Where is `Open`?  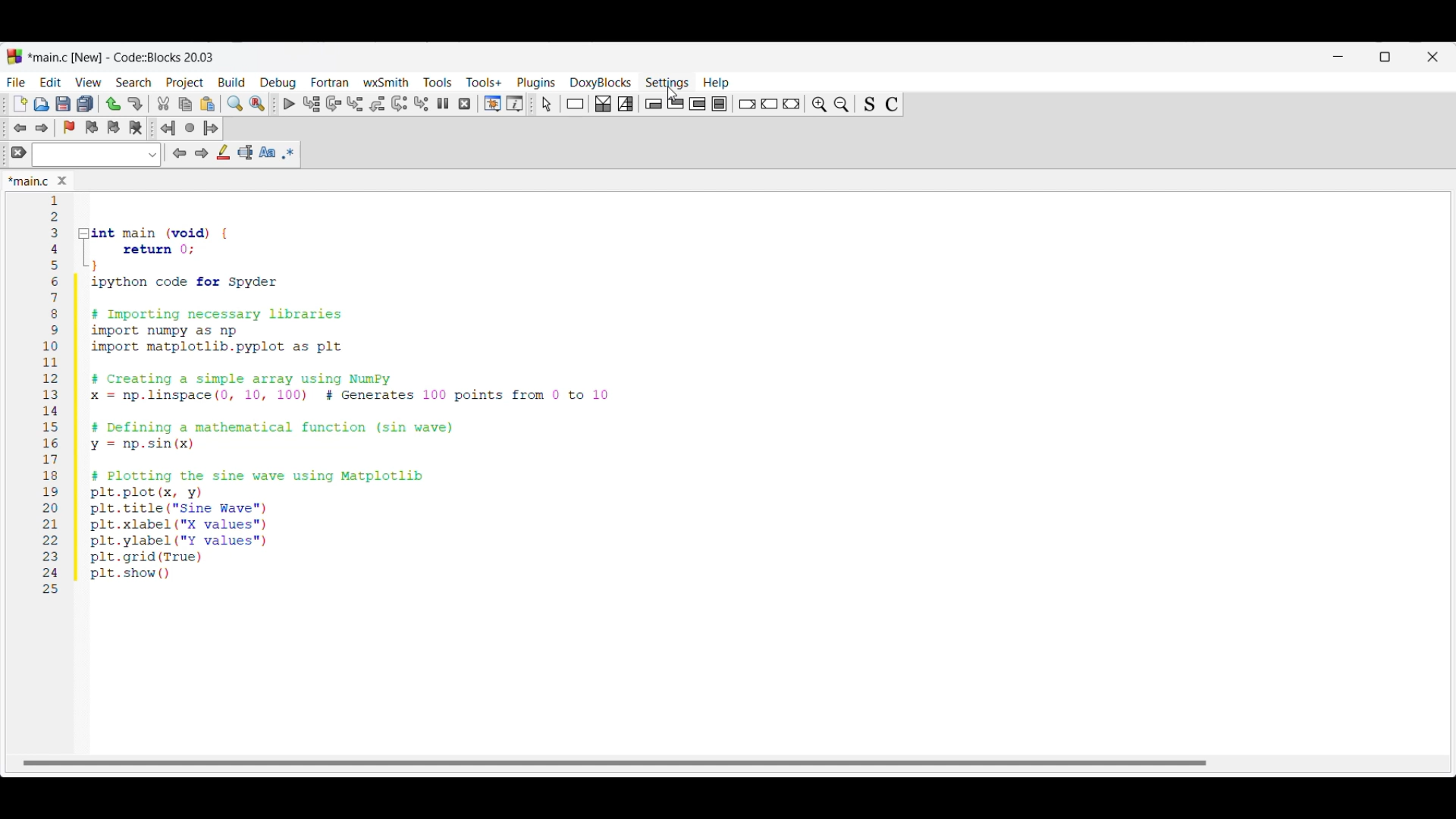
Open is located at coordinates (42, 104).